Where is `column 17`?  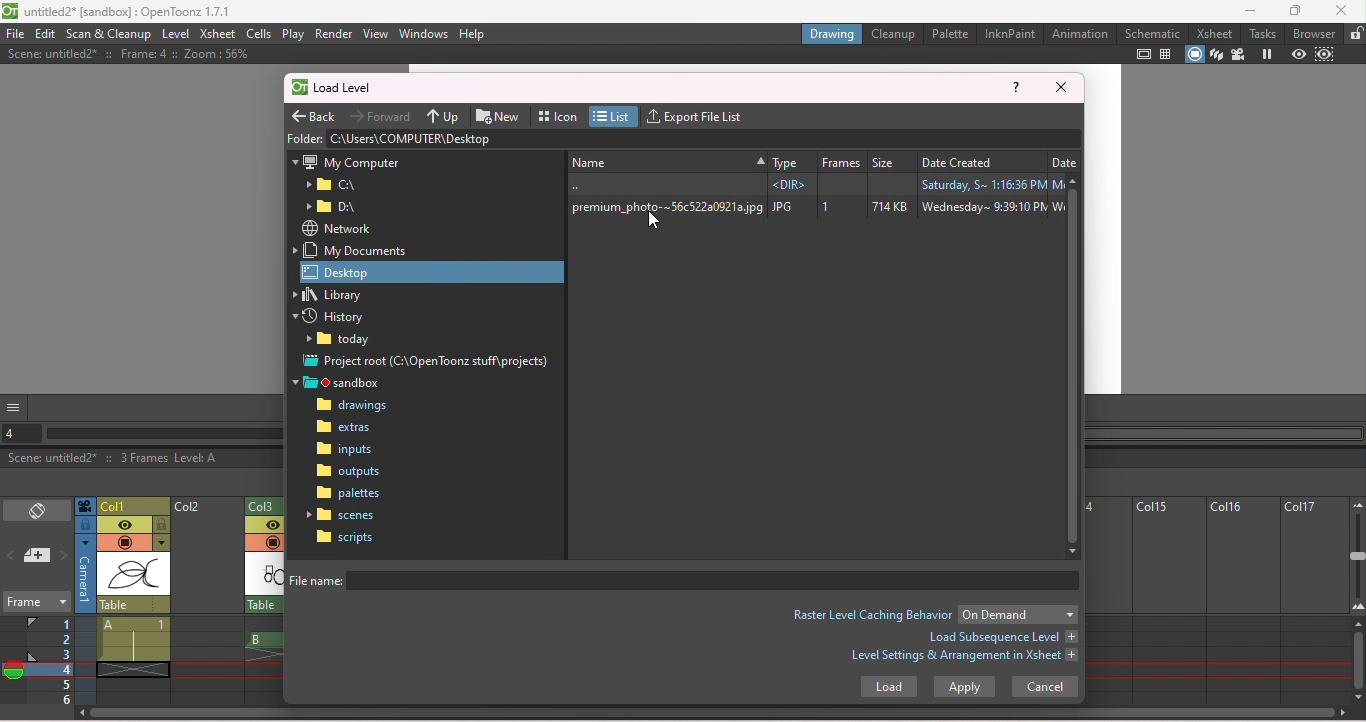
column 17 is located at coordinates (1314, 601).